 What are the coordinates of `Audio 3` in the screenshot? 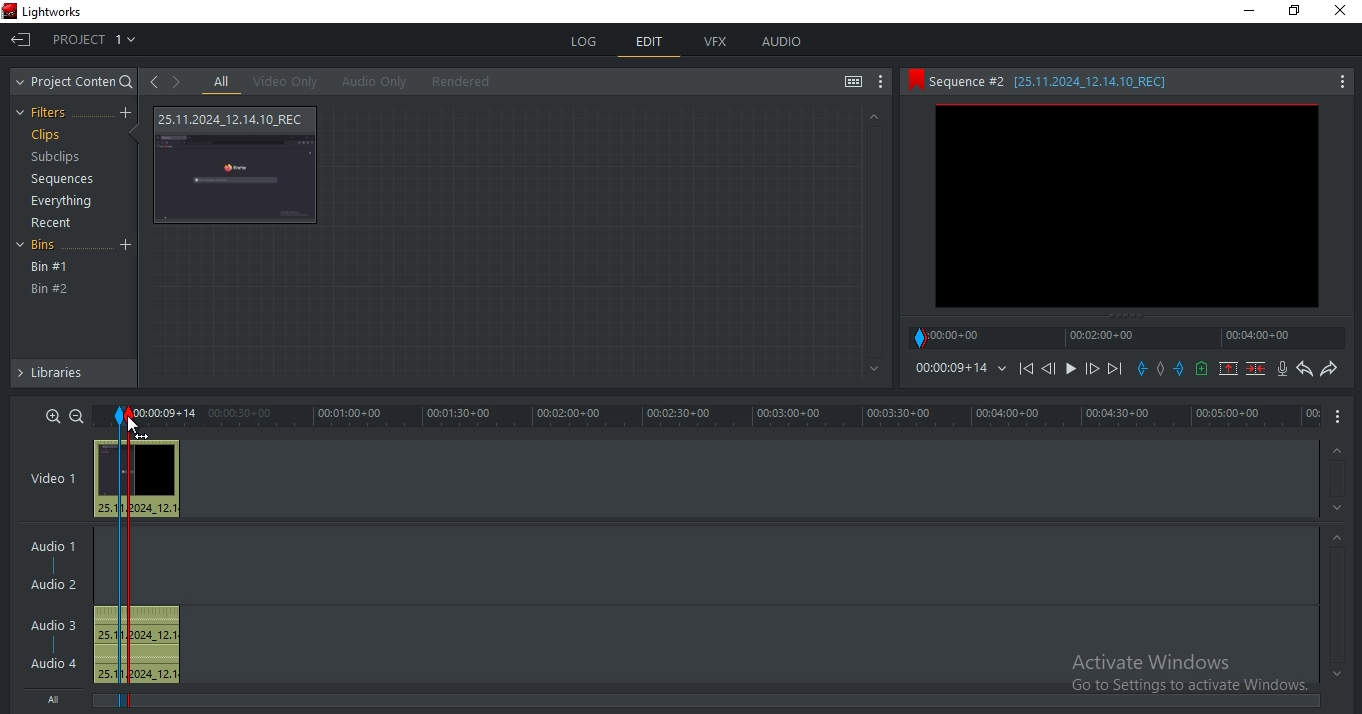 It's located at (51, 623).